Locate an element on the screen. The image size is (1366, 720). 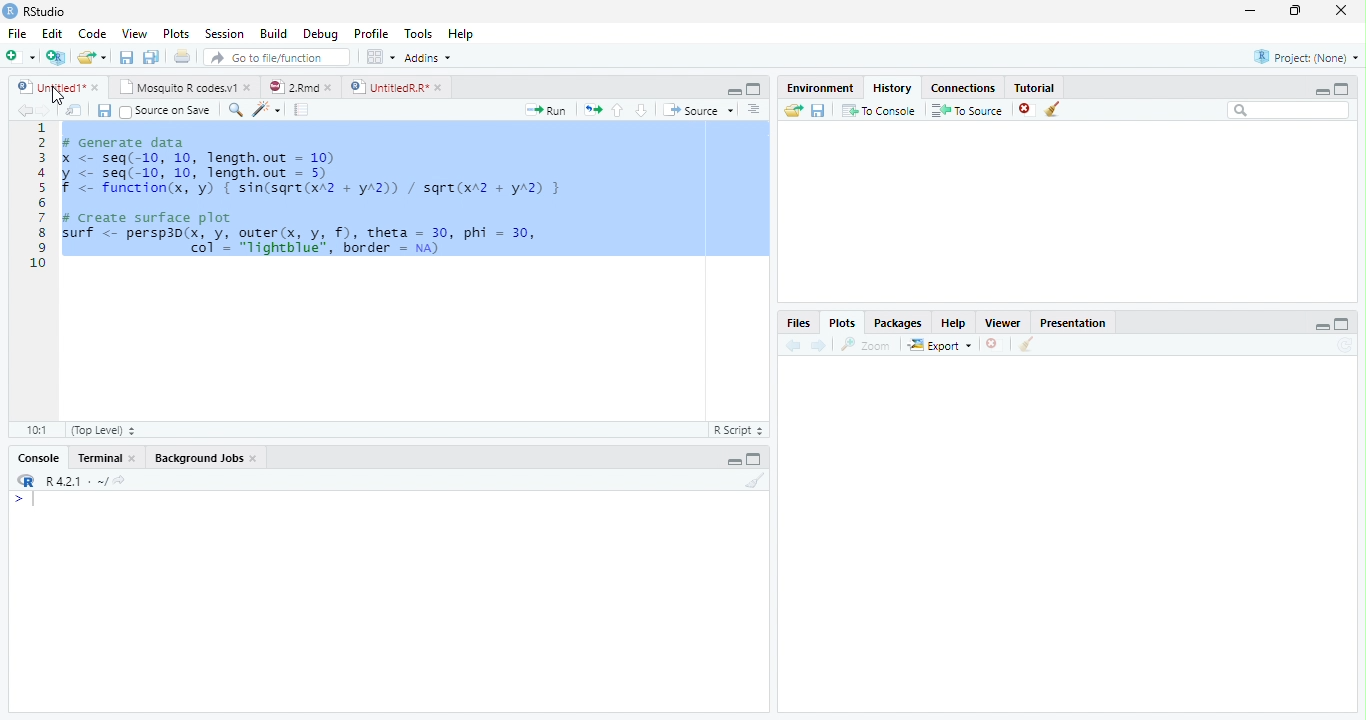
Files is located at coordinates (800, 322).